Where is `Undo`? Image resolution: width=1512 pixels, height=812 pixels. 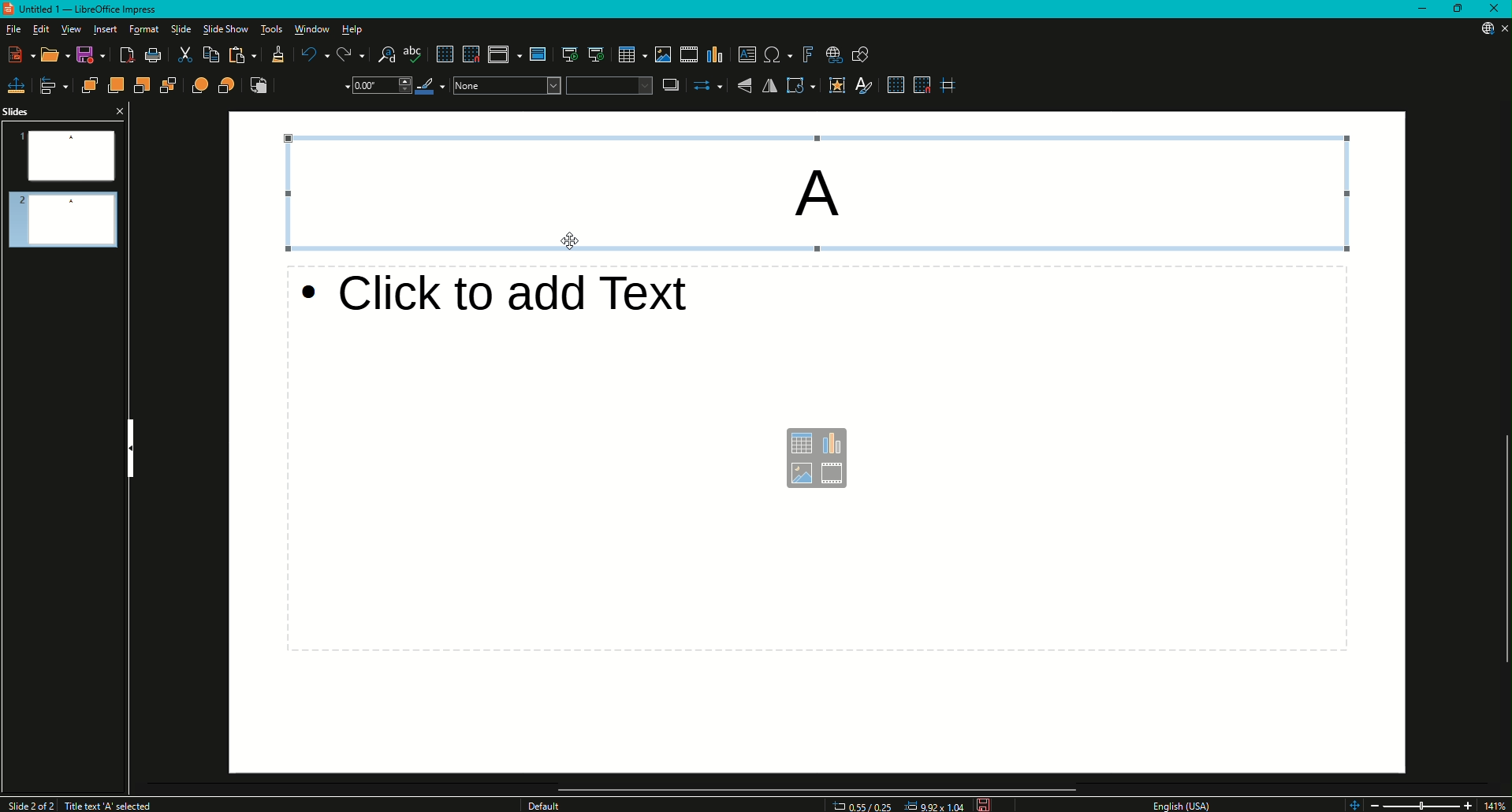 Undo is located at coordinates (311, 54).